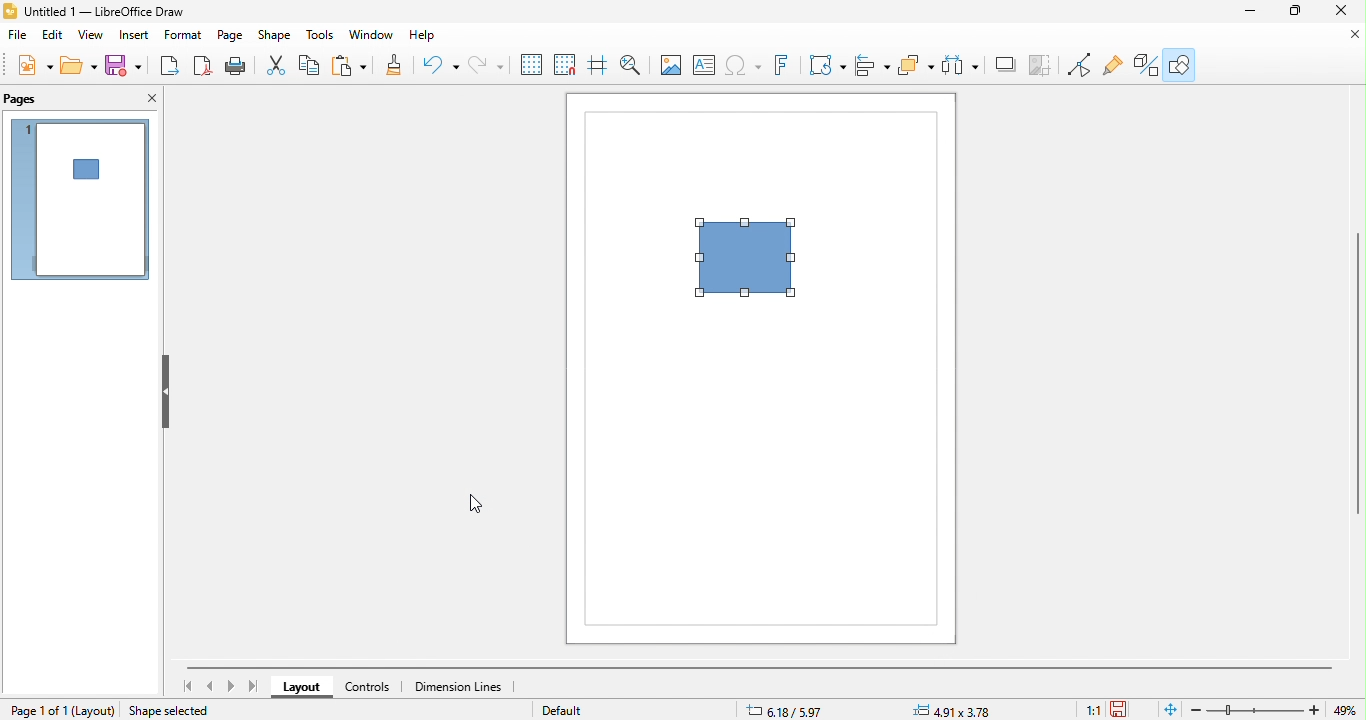  I want to click on open, so click(79, 64).